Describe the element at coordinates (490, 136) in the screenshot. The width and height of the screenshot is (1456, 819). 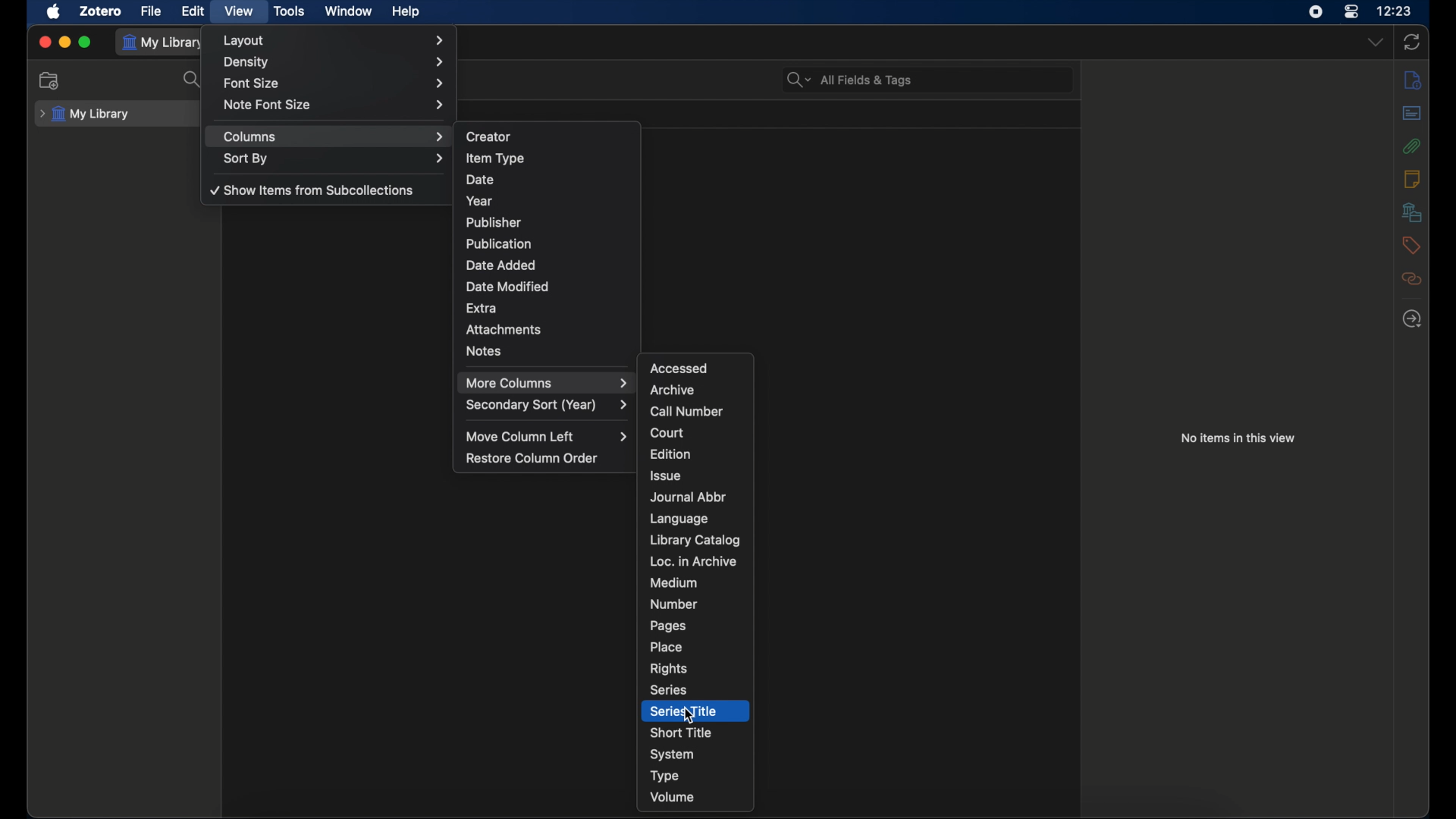
I see `creator` at that location.